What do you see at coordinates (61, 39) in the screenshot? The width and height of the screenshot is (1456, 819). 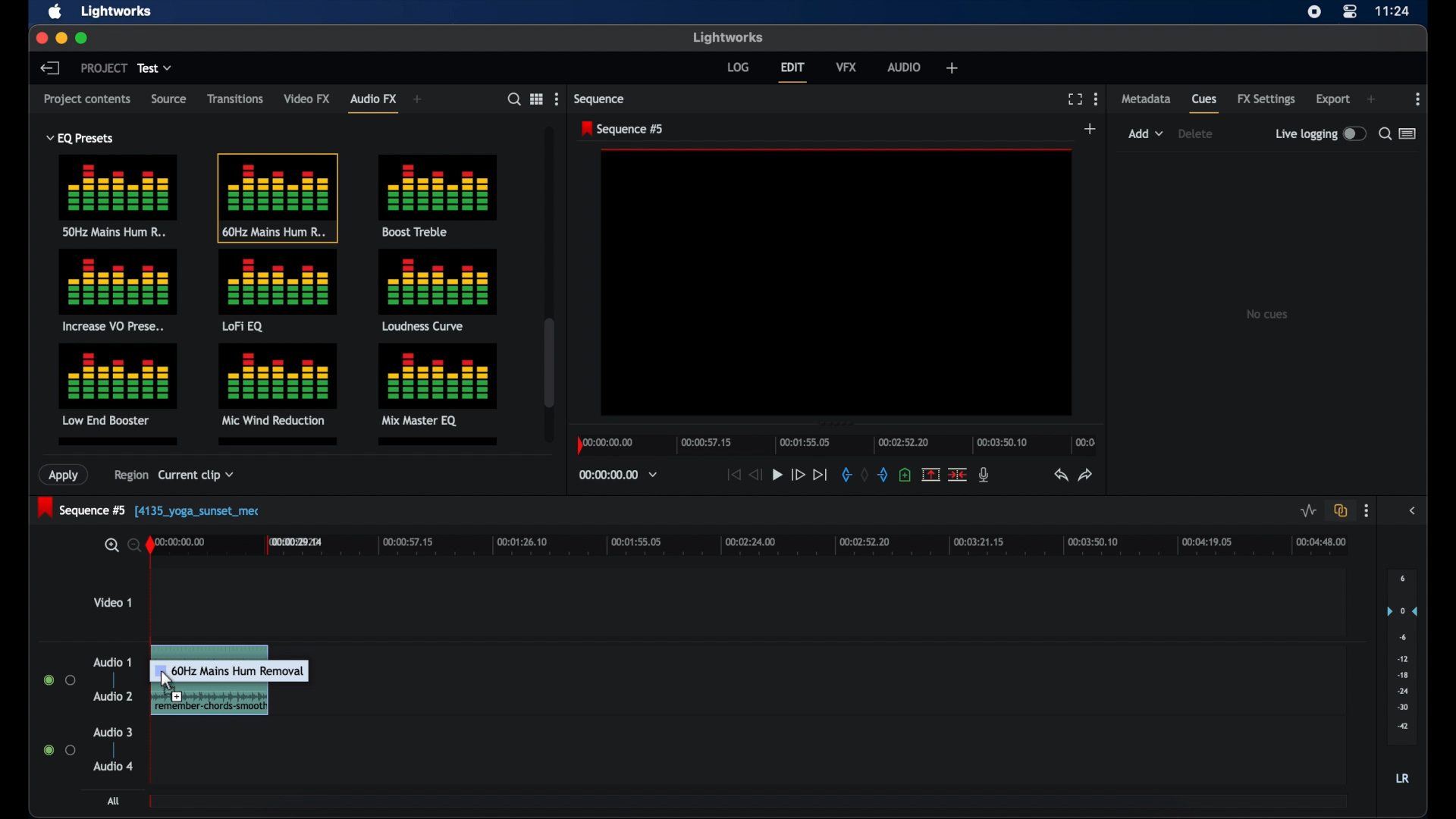 I see `minimize` at bounding box center [61, 39].